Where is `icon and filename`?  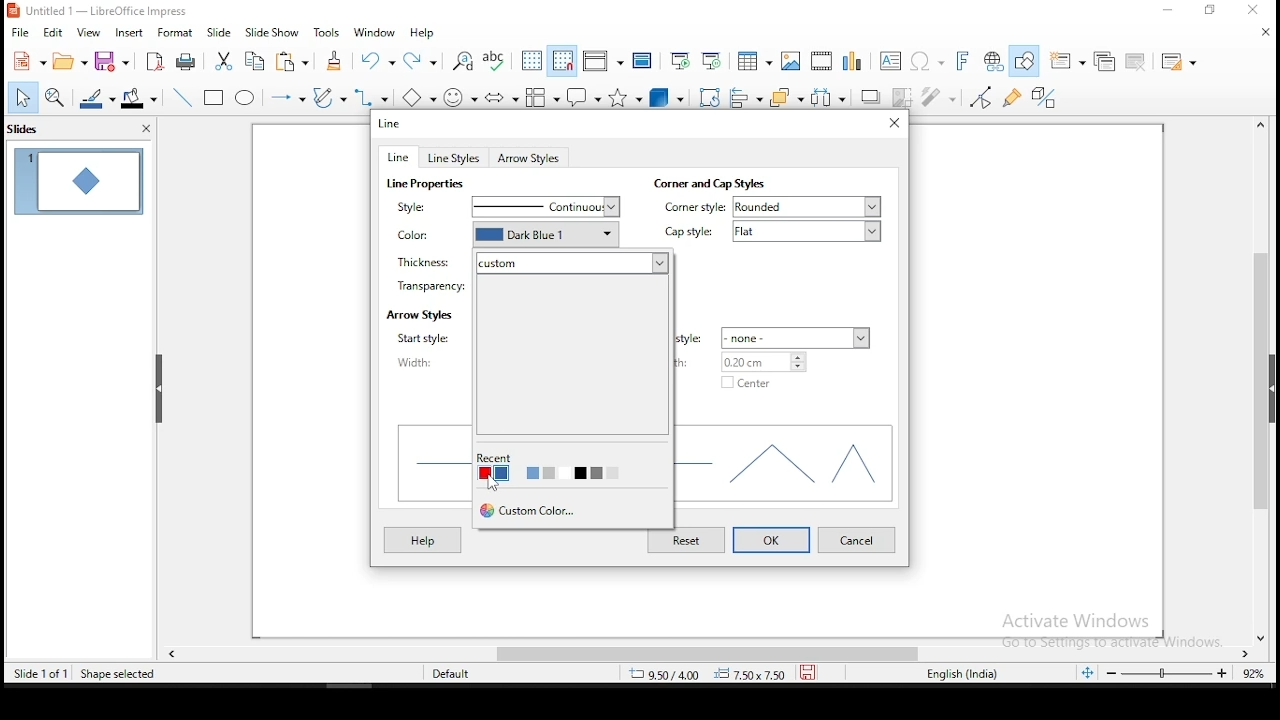
icon and filename is located at coordinates (99, 11).